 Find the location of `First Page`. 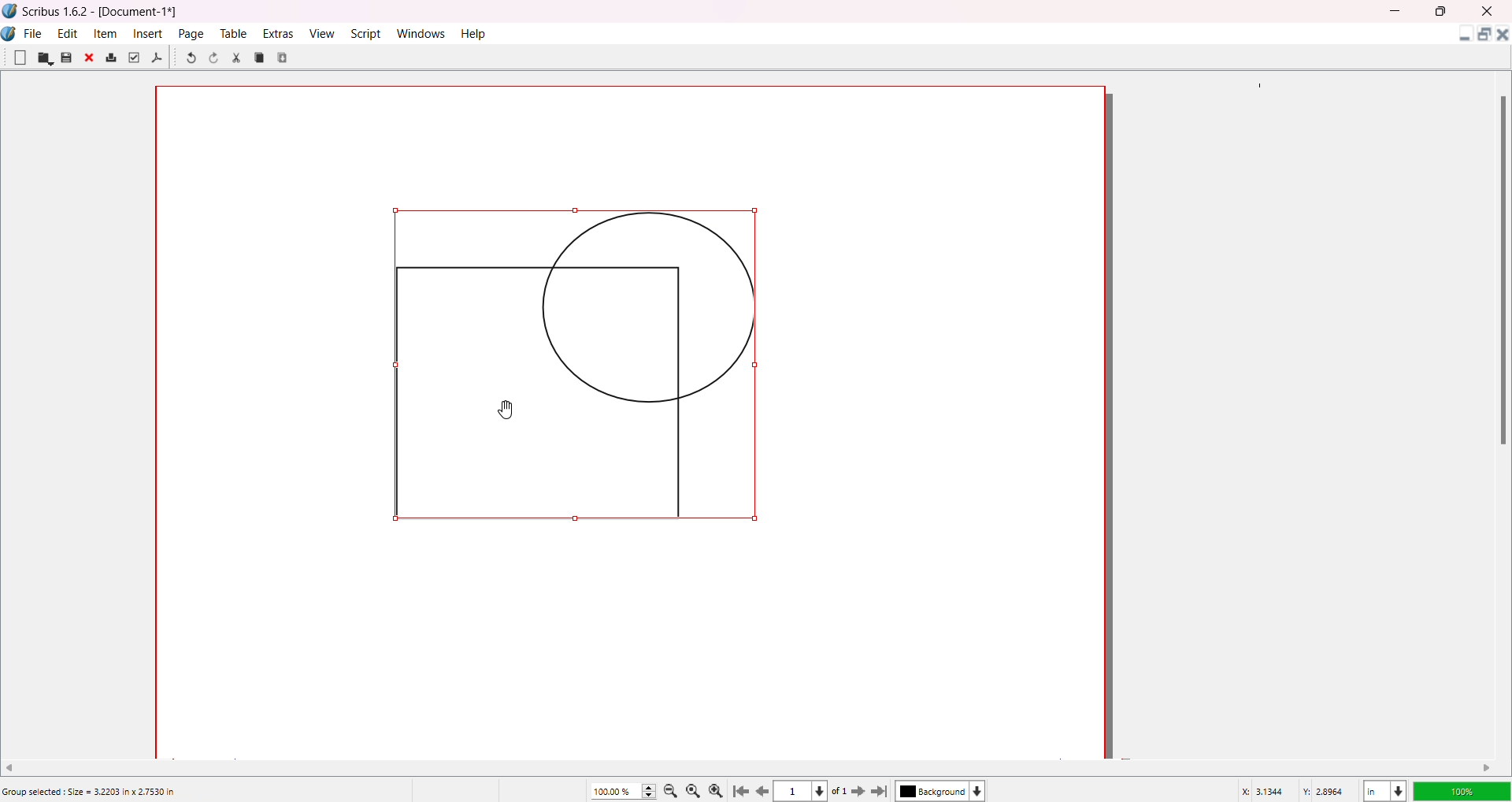

First Page is located at coordinates (743, 789).